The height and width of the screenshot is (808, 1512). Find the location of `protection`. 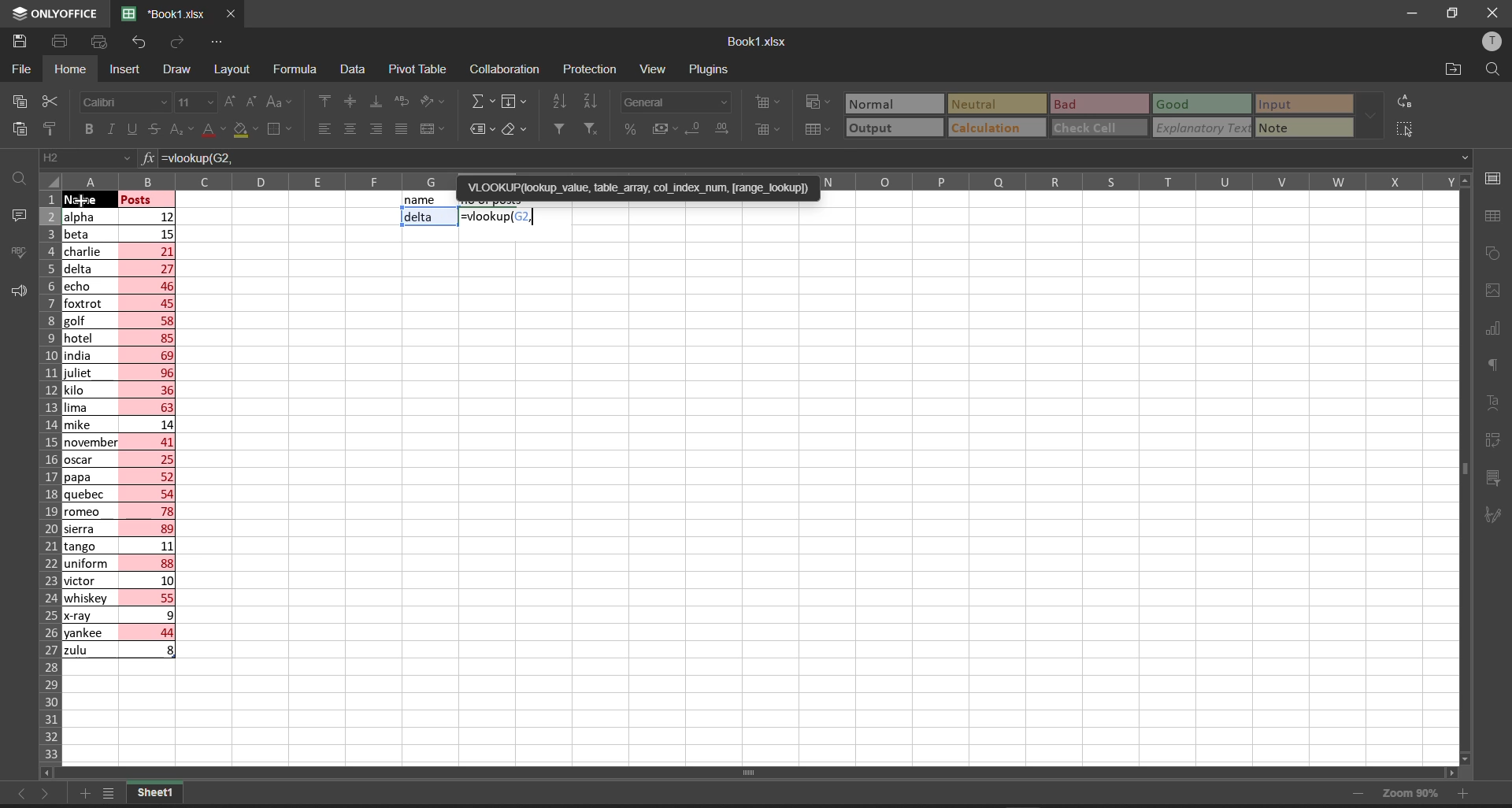

protection is located at coordinates (594, 69).